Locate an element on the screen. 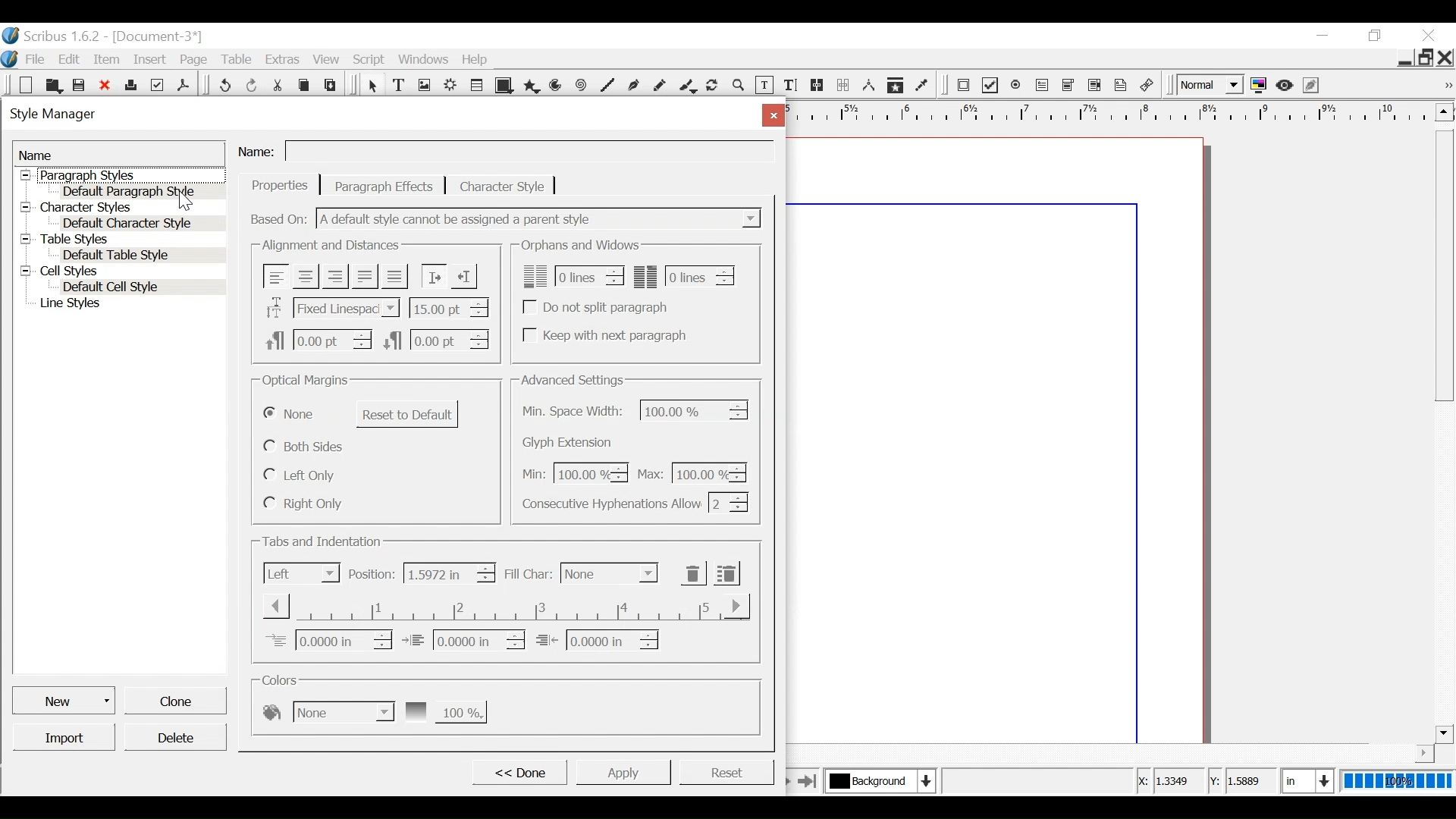  Insert is located at coordinates (152, 58).